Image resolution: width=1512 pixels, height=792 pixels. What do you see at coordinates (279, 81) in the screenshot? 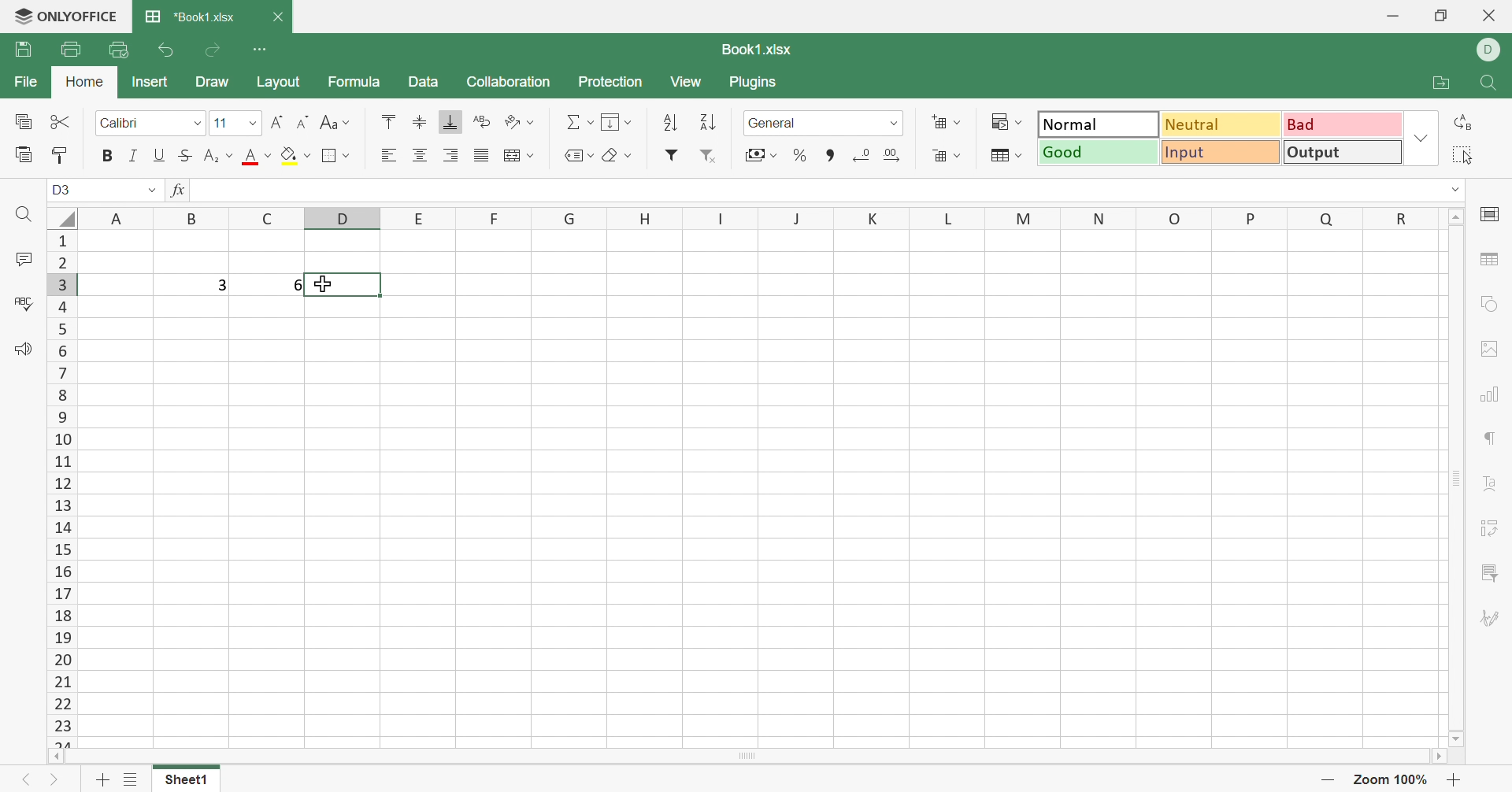
I see `Layout` at bounding box center [279, 81].